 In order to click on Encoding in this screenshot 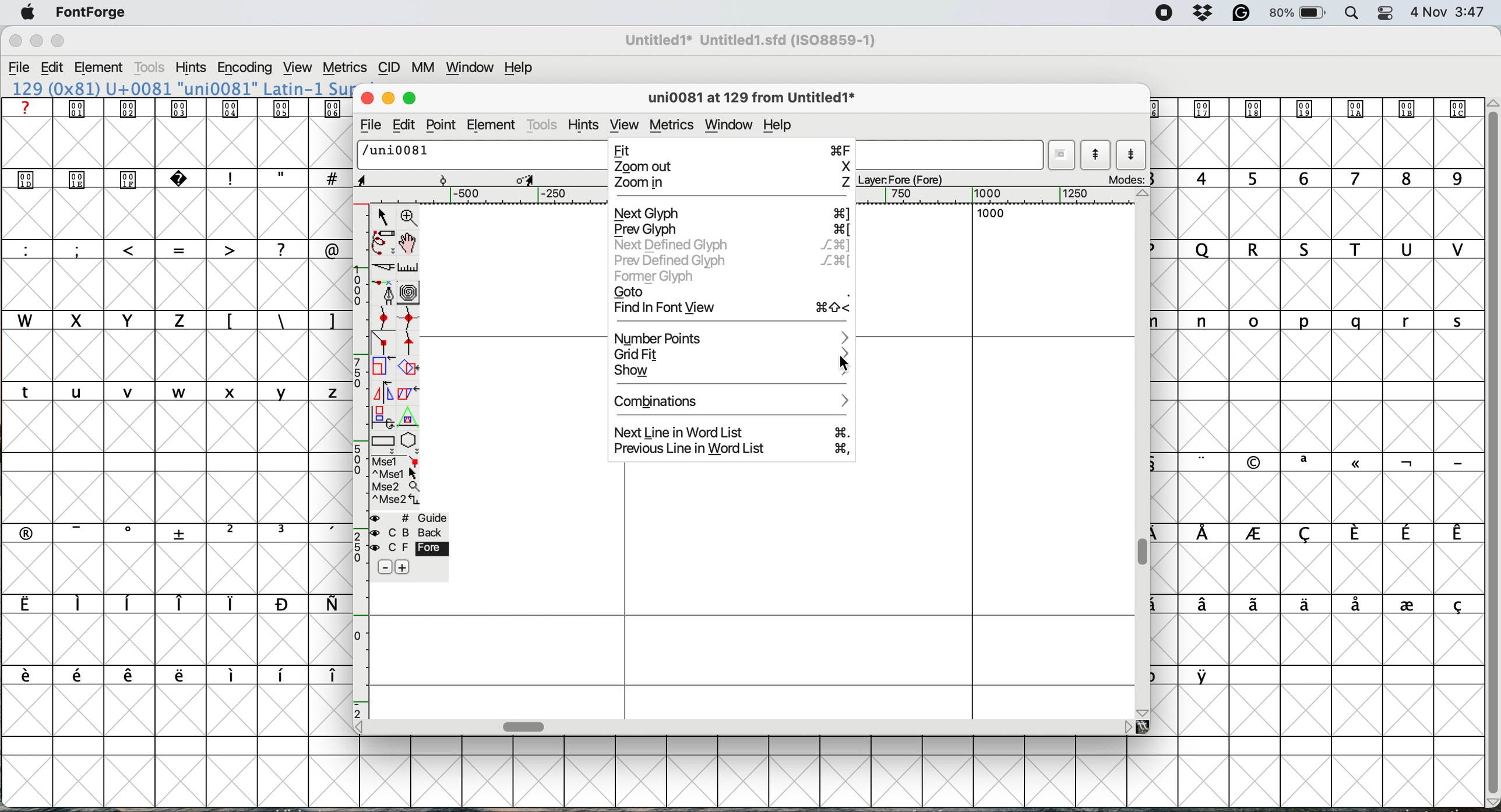, I will do `click(247, 68)`.